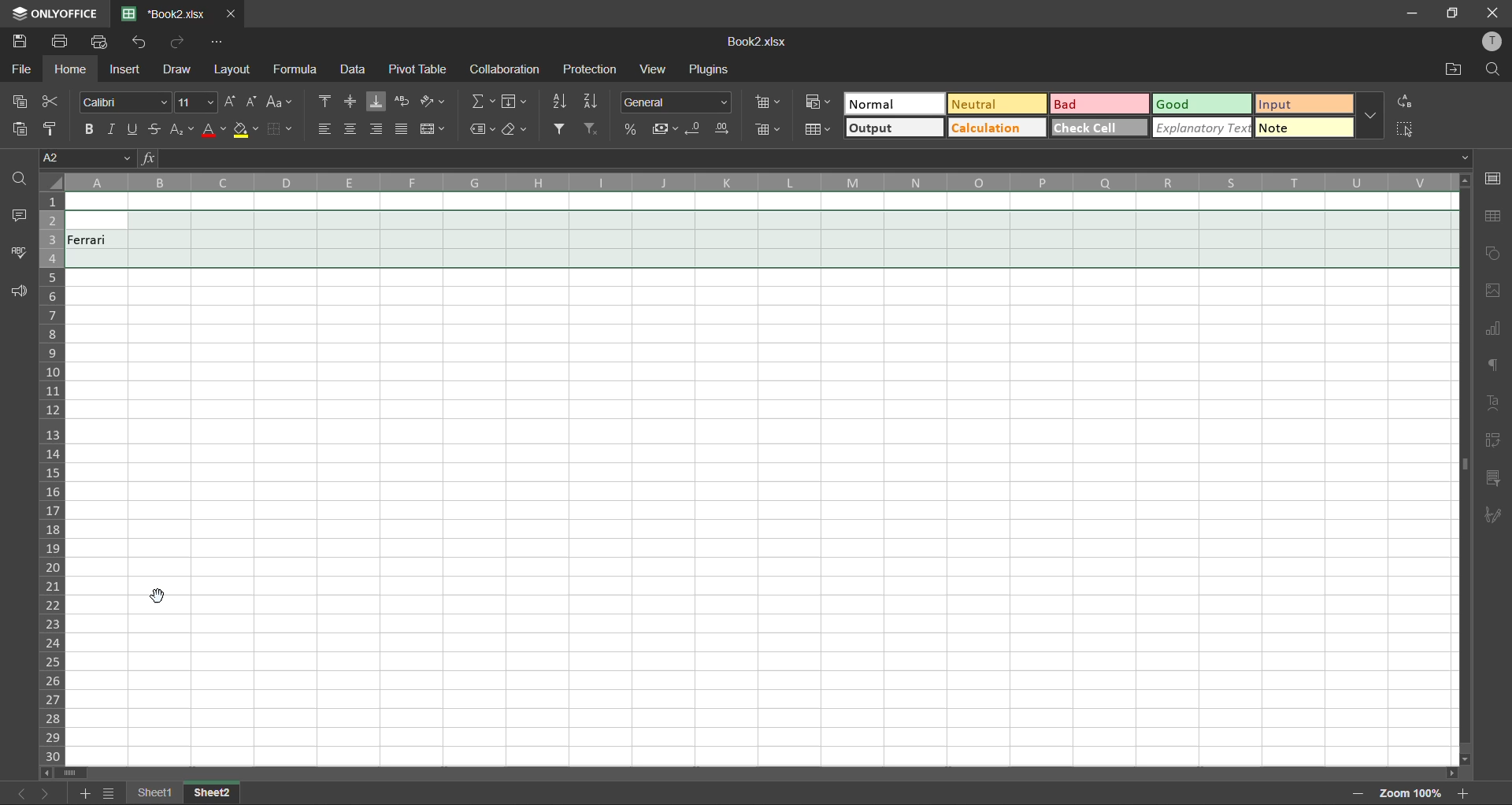 The image size is (1512, 805). I want to click on sheet 13, so click(213, 792).